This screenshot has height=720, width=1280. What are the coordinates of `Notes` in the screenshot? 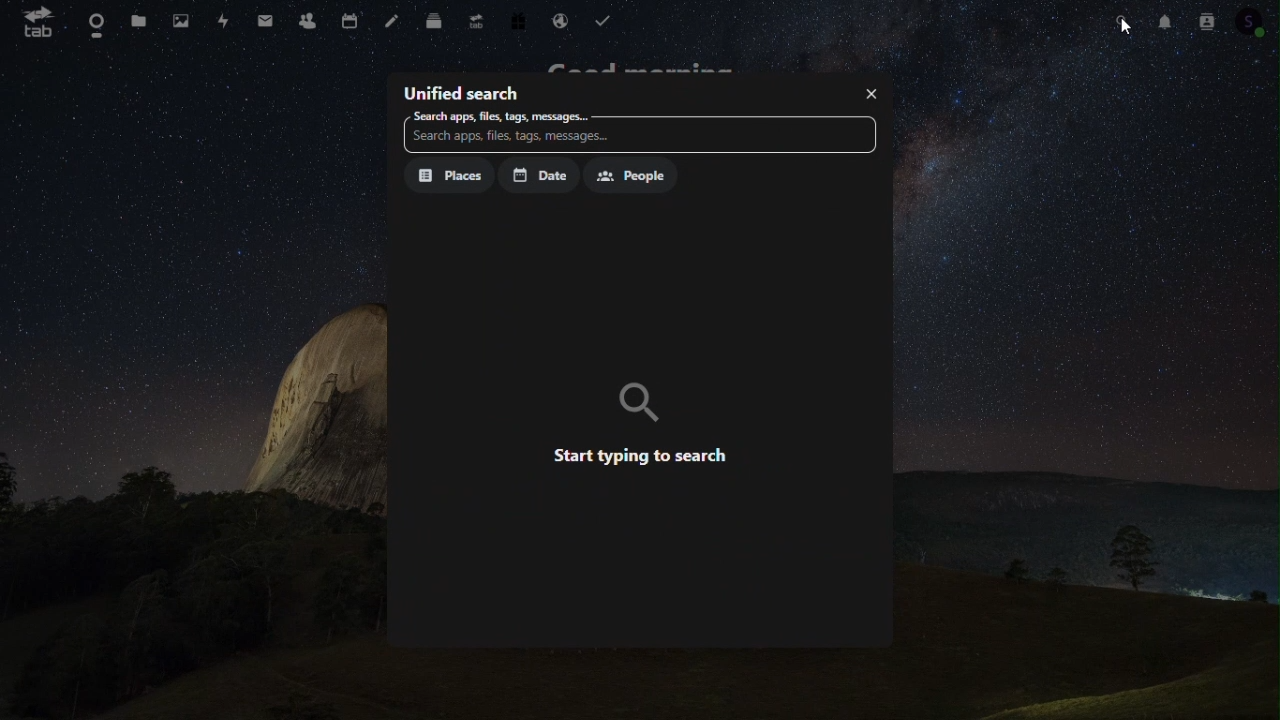 It's located at (392, 19).